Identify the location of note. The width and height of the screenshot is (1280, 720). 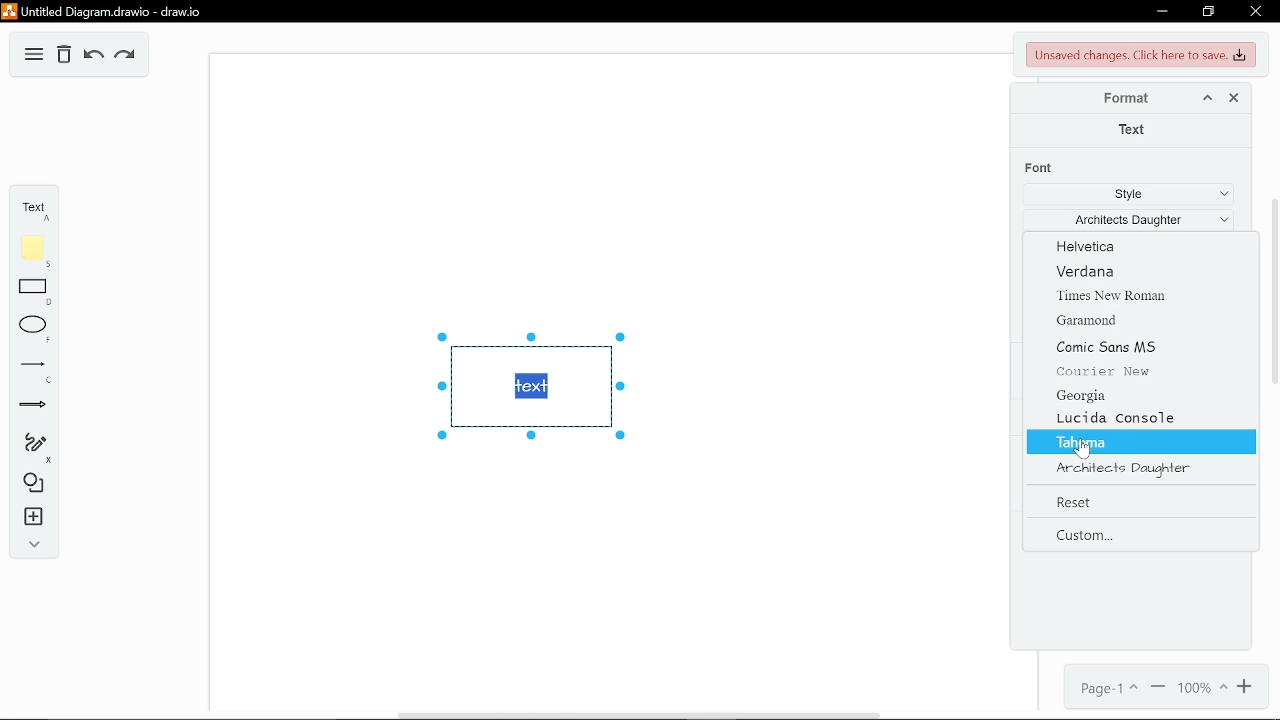
(29, 251).